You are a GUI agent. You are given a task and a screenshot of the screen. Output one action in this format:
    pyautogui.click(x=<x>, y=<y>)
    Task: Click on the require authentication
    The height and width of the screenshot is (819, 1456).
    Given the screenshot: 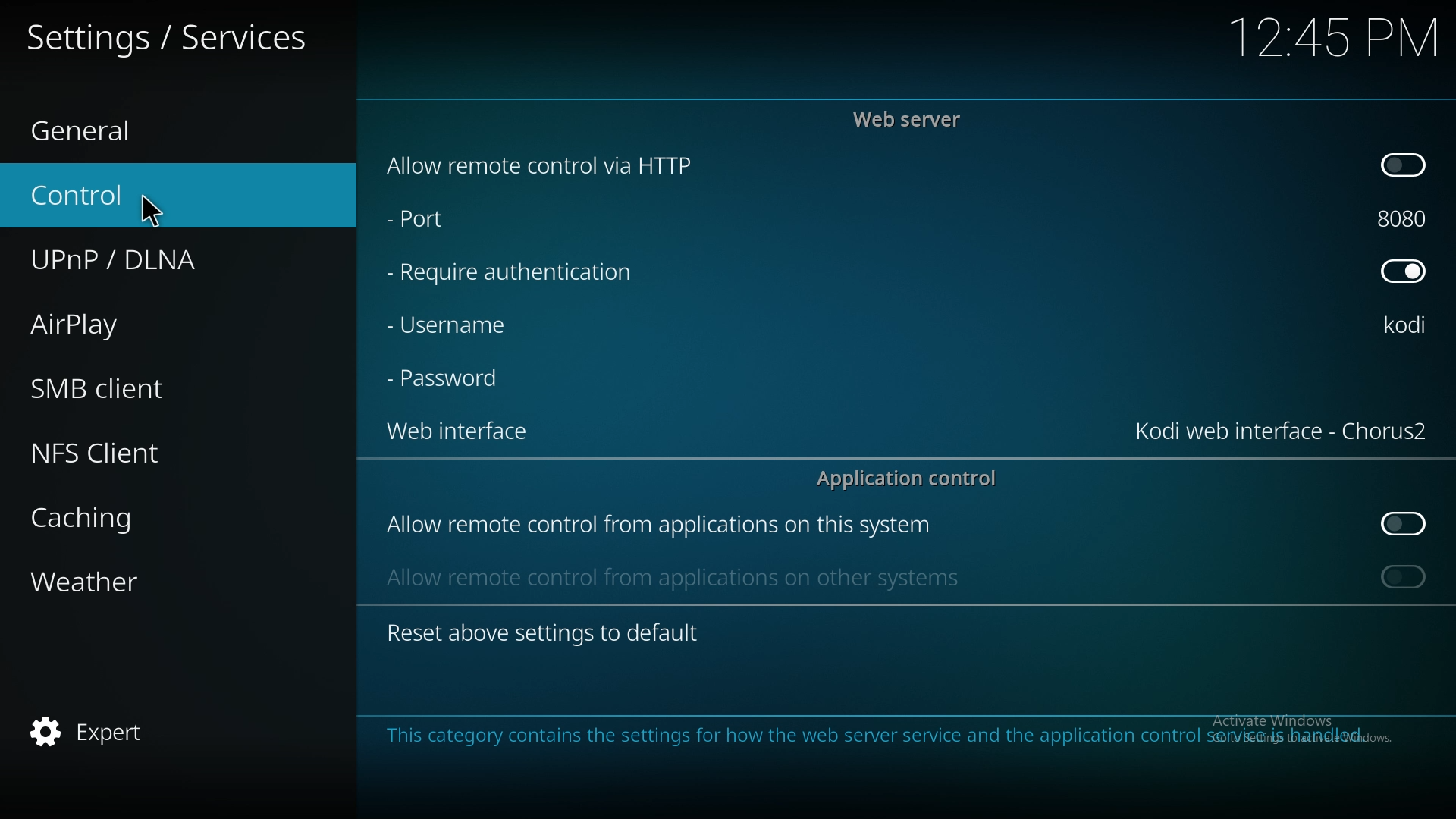 What is the action you would take?
    pyautogui.click(x=512, y=273)
    